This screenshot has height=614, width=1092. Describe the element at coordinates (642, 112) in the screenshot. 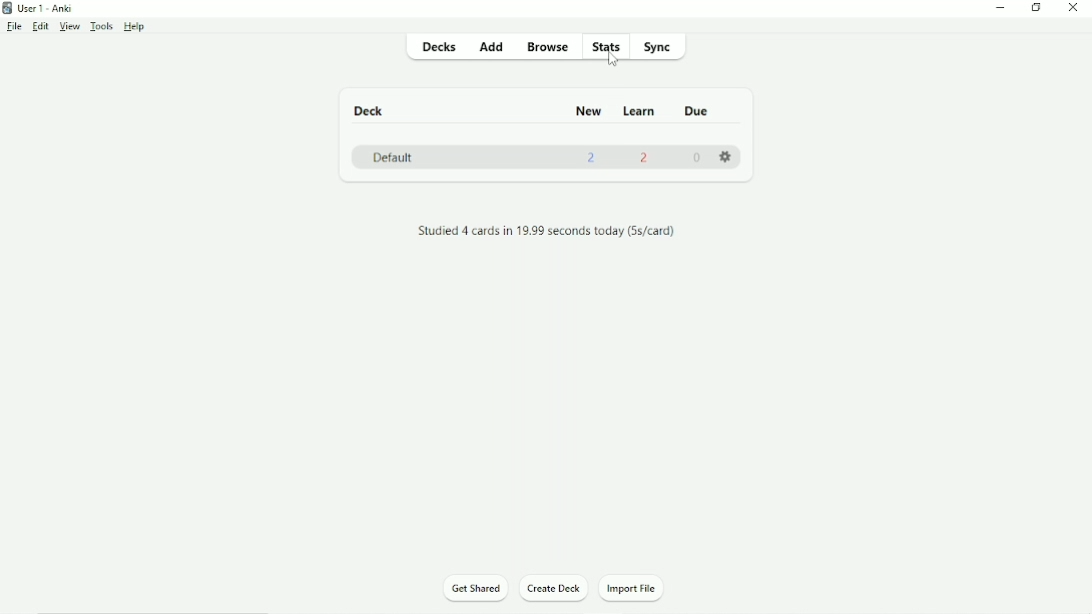

I see `Learn` at that location.